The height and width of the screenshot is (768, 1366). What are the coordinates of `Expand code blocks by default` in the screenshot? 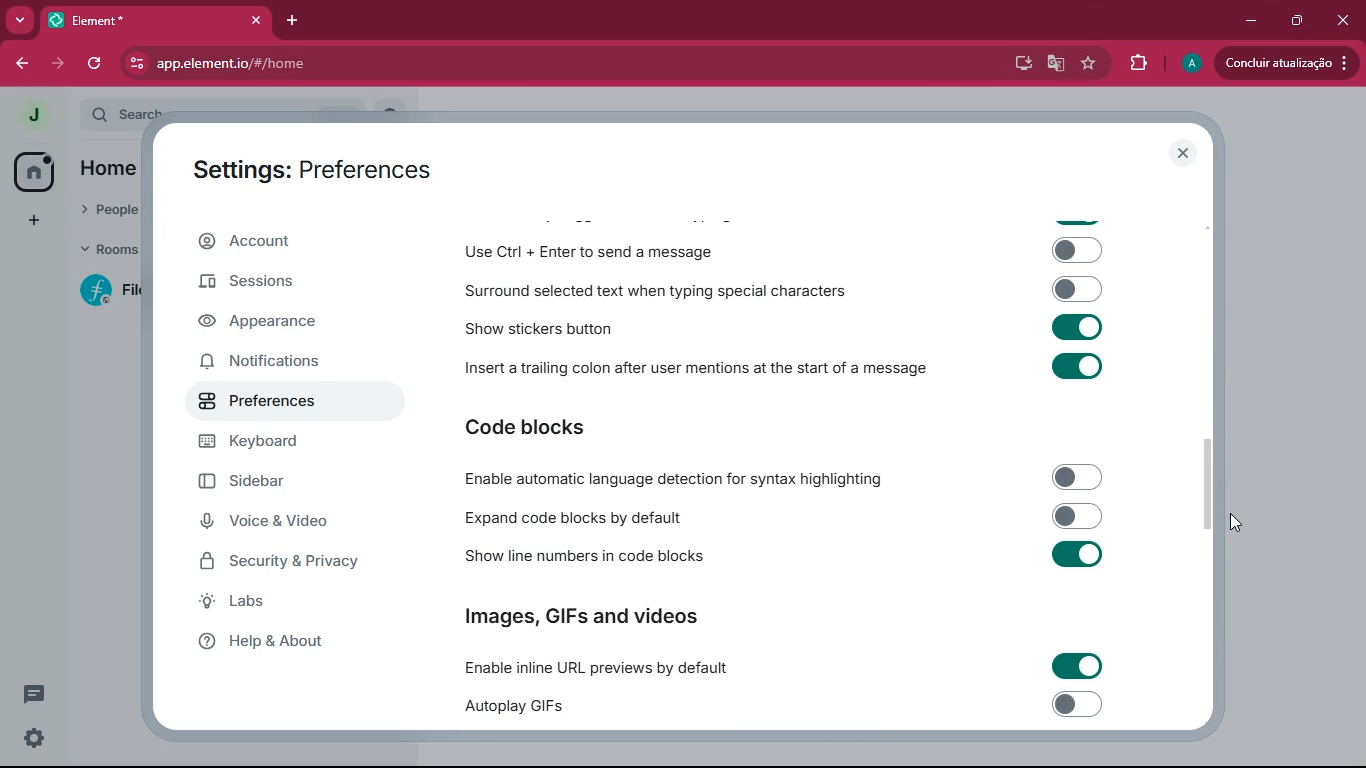 It's located at (779, 516).